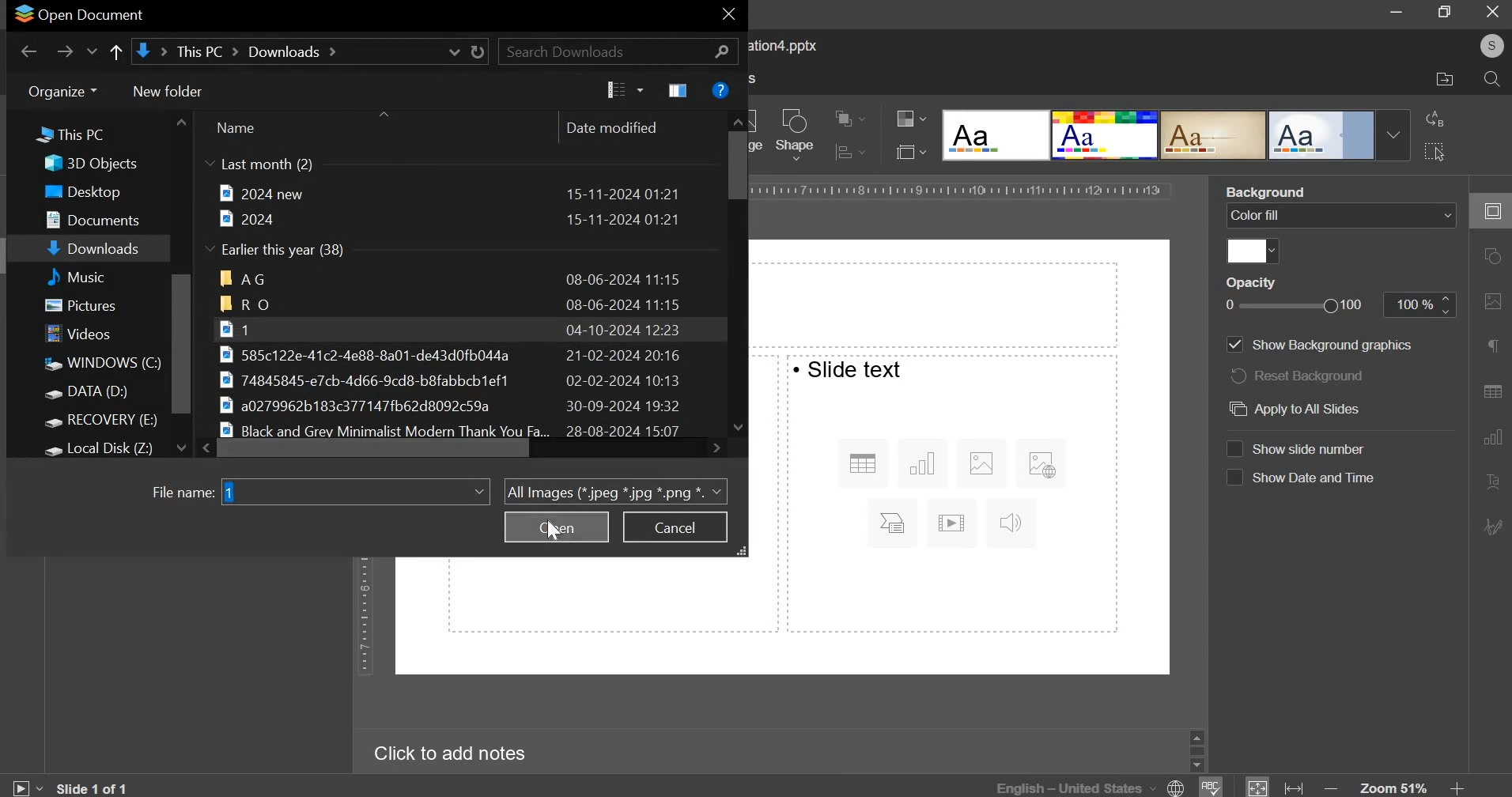  I want to click on fit to window, so click(1258, 788).